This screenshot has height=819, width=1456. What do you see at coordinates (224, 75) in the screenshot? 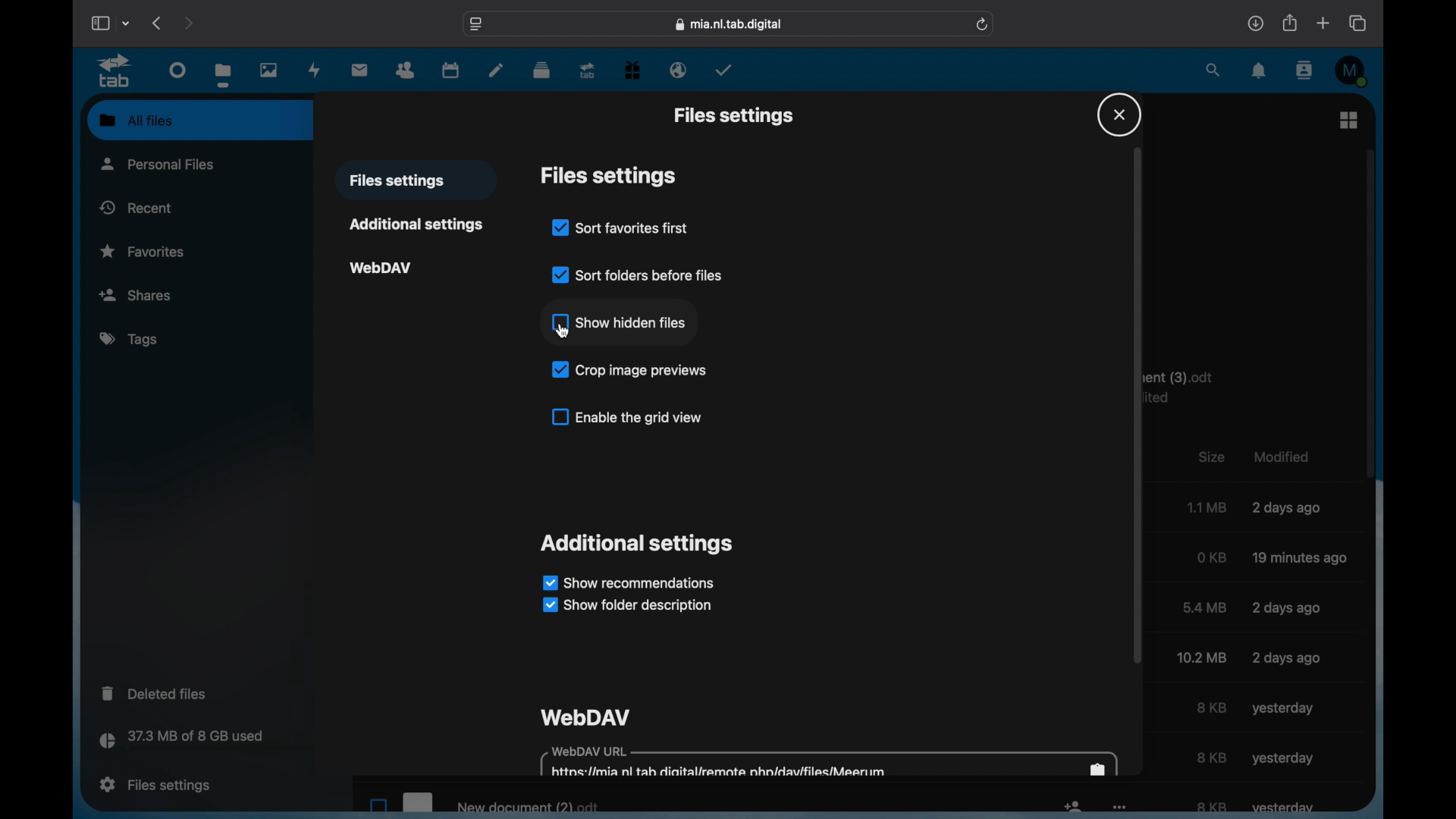
I see `files` at bounding box center [224, 75].